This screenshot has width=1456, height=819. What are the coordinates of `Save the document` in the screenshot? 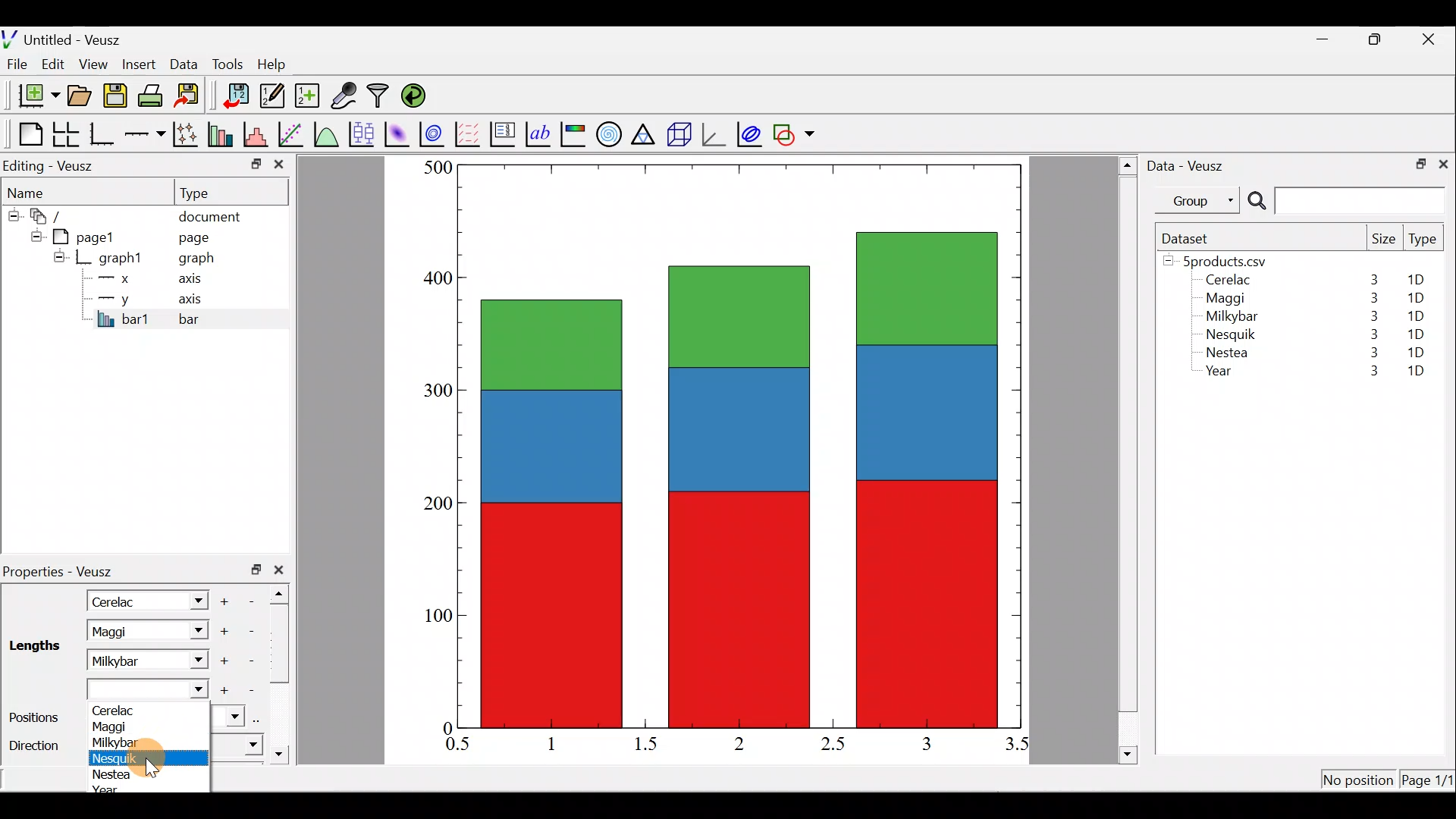 It's located at (117, 99).